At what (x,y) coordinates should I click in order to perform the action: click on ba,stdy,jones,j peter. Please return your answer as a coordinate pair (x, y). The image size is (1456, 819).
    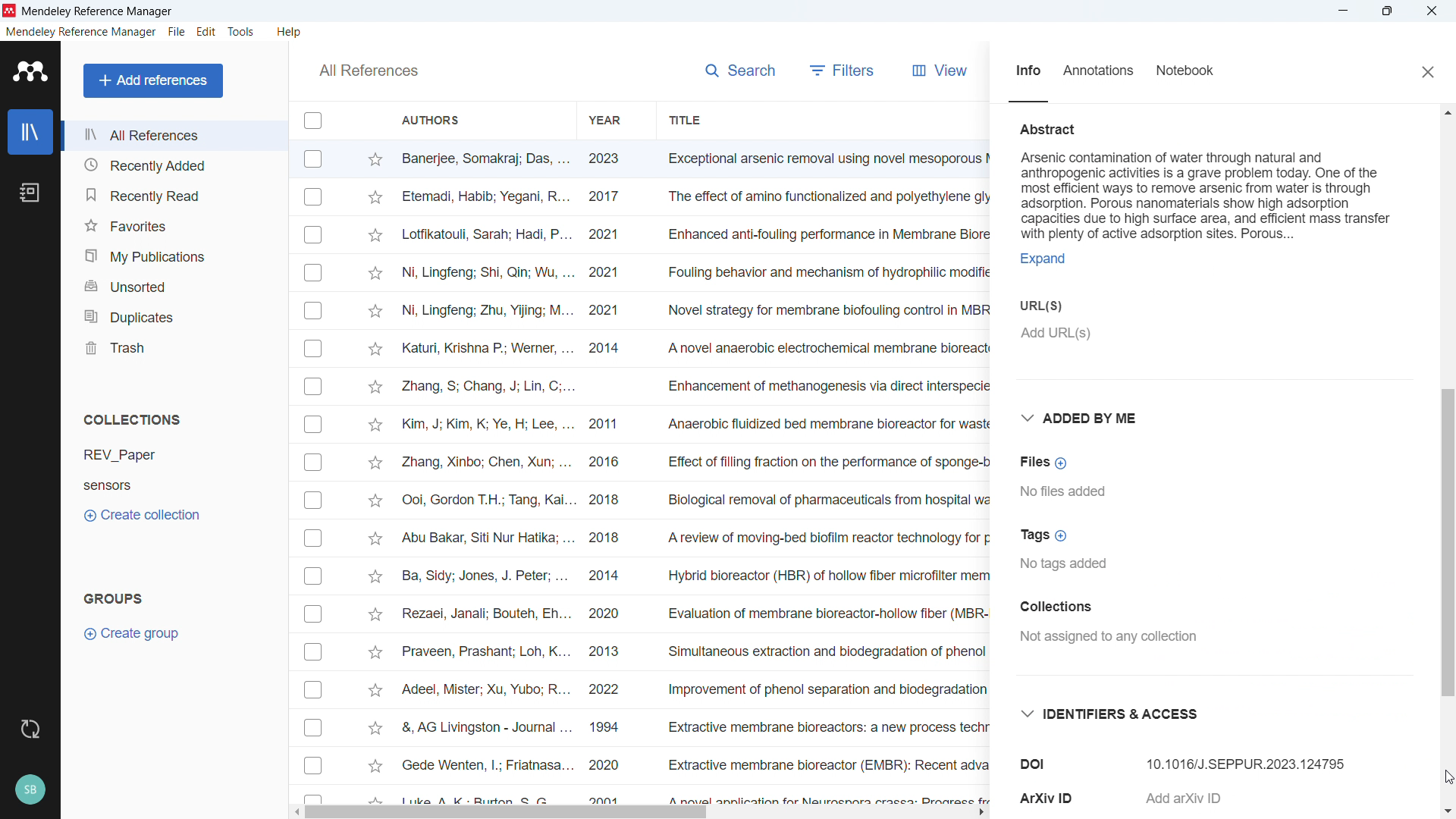
    Looking at the image, I should click on (481, 578).